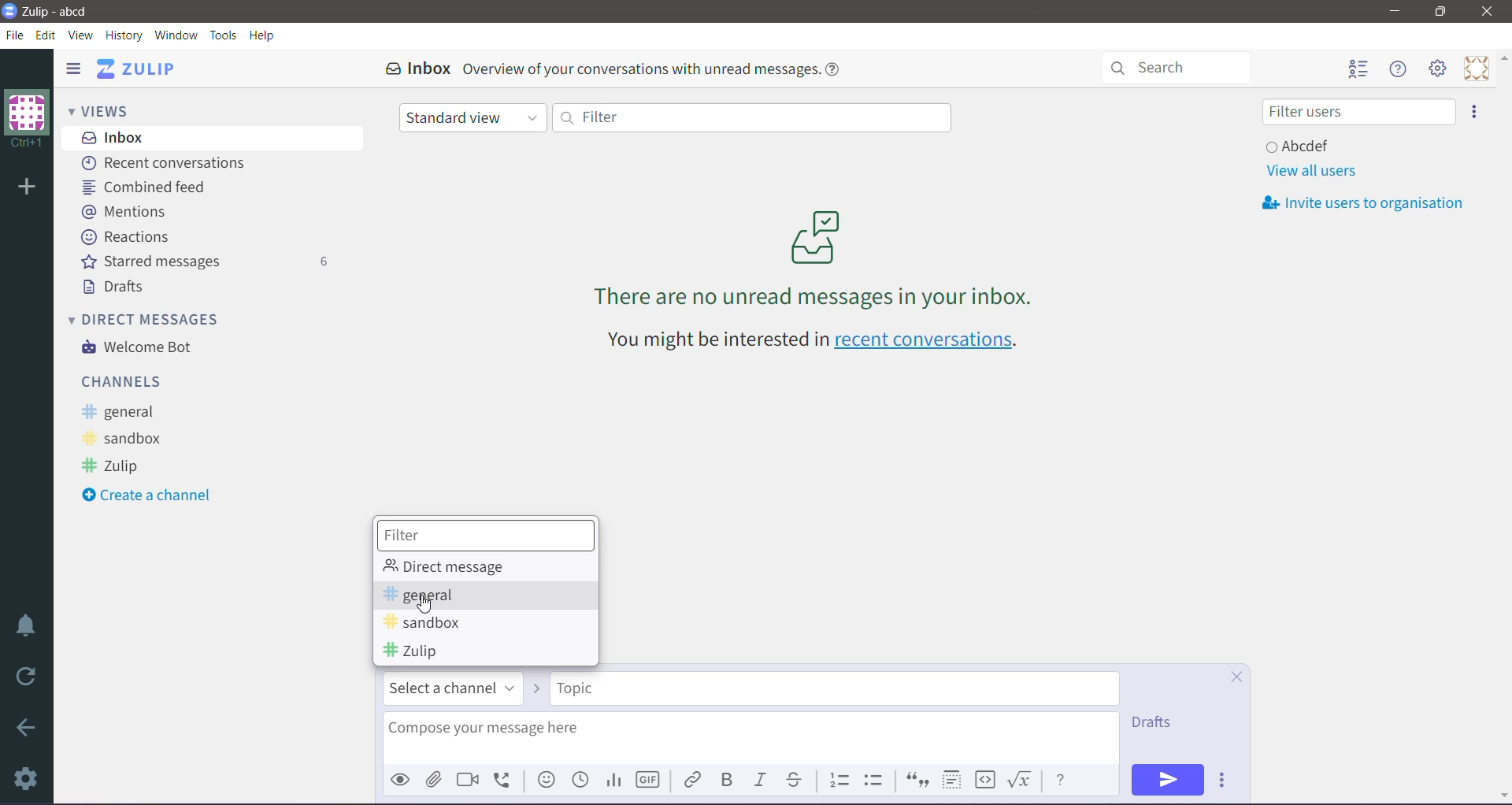  Describe the element at coordinates (434, 780) in the screenshot. I see `Upload File` at that location.